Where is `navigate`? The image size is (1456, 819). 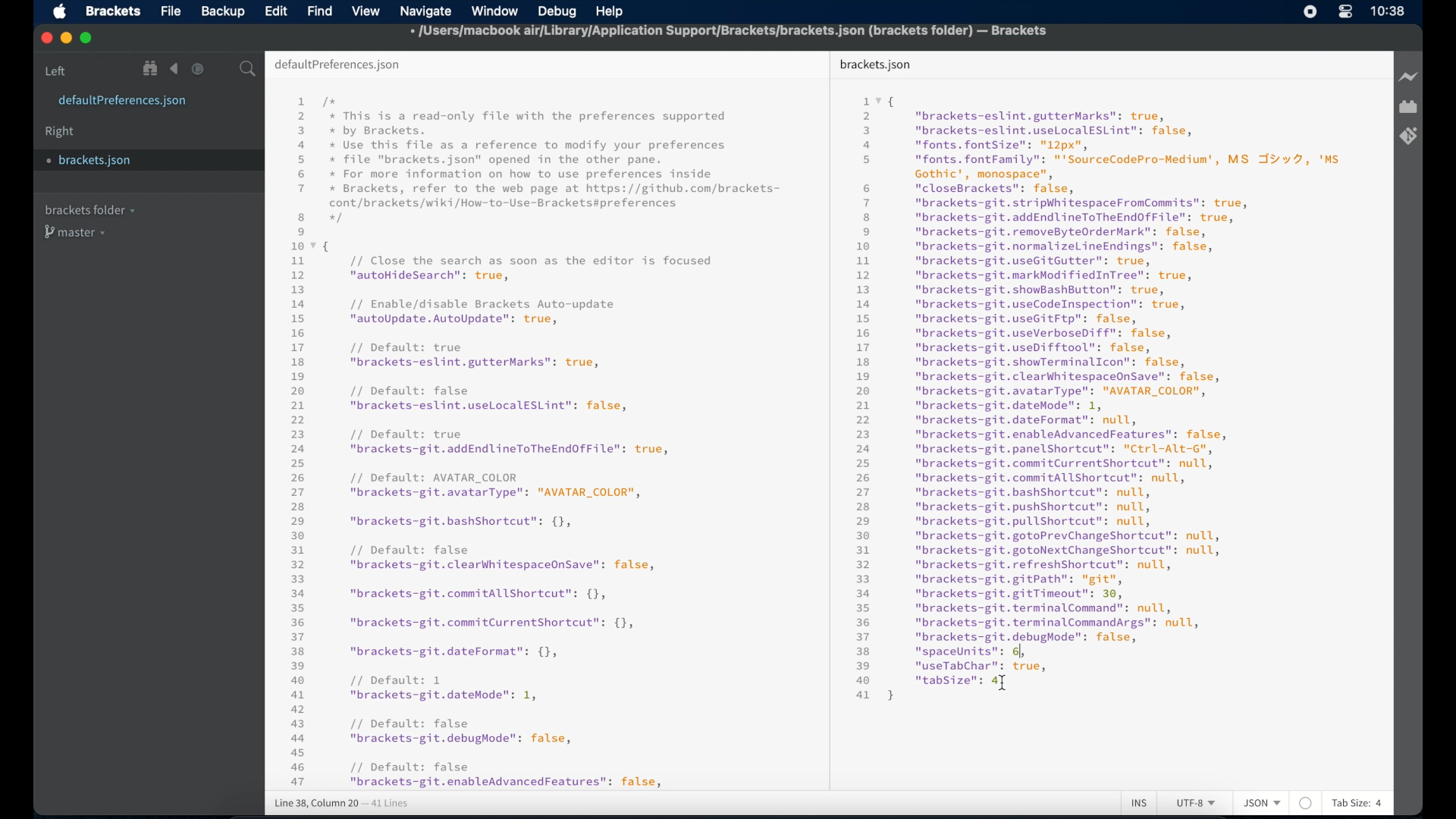 navigate is located at coordinates (425, 12).